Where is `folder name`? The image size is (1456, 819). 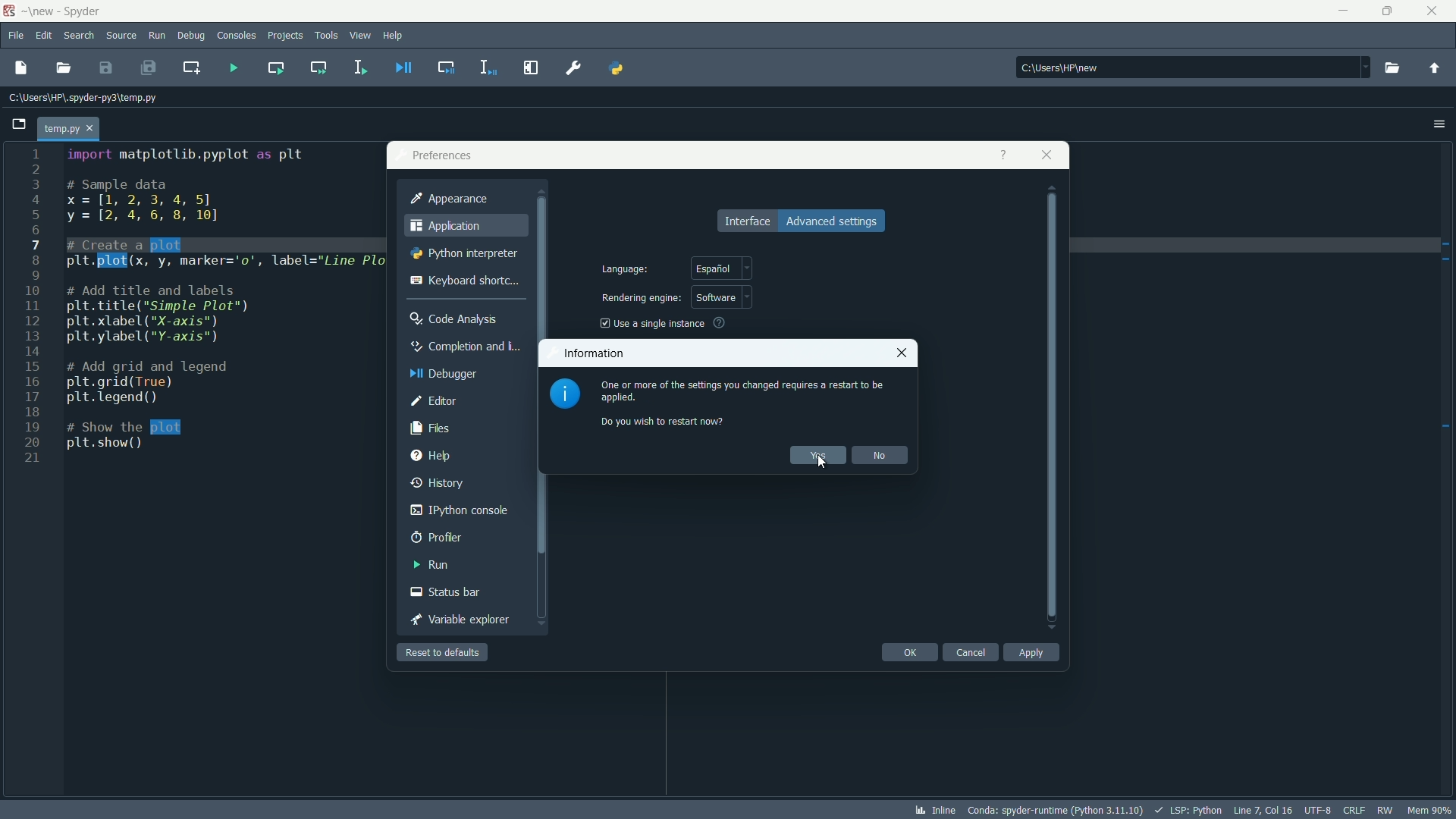
folder name is located at coordinates (39, 12).